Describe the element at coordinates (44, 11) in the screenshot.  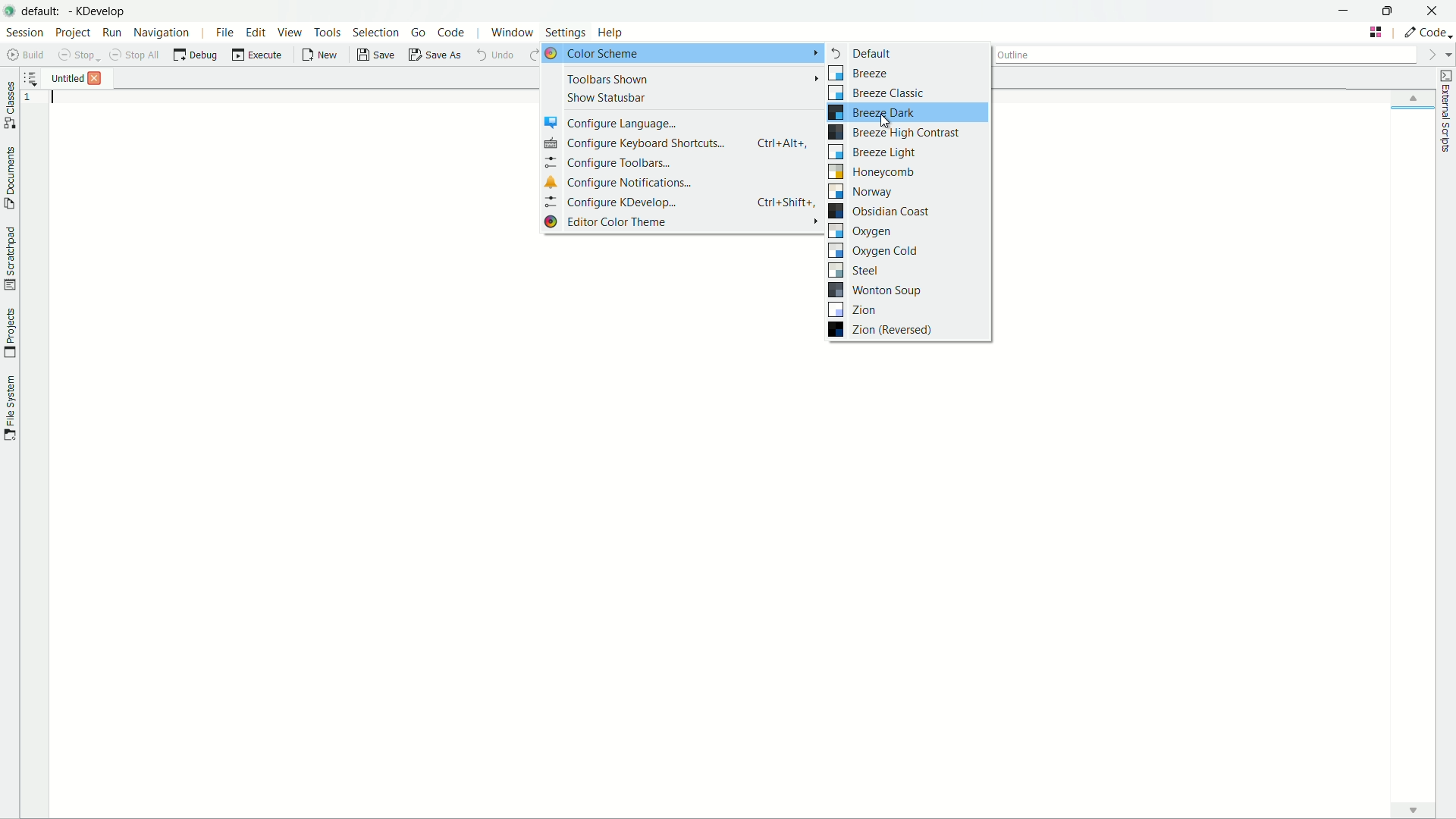
I see `default` at that location.